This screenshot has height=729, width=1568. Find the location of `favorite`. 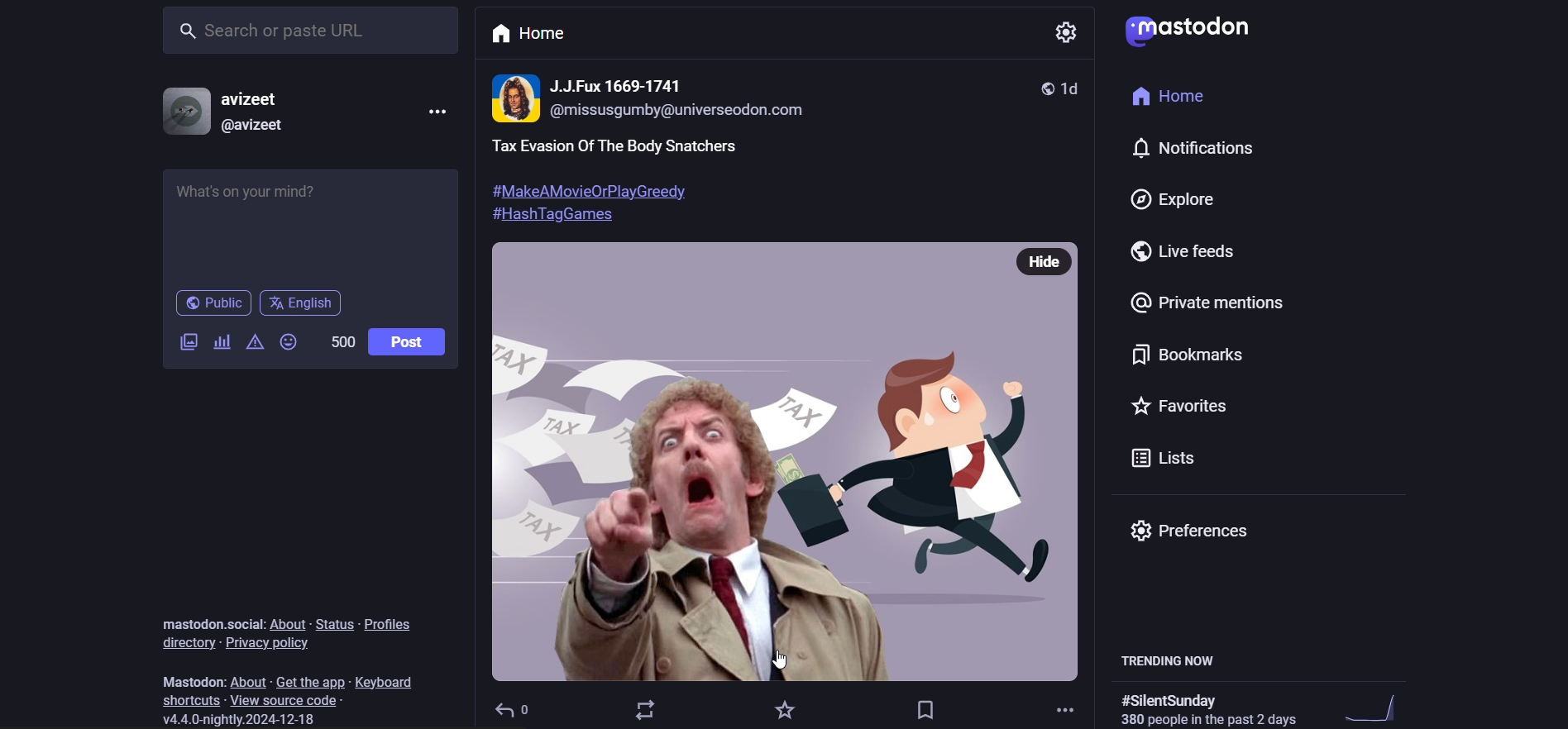

favorite is located at coordinates (781, 708).